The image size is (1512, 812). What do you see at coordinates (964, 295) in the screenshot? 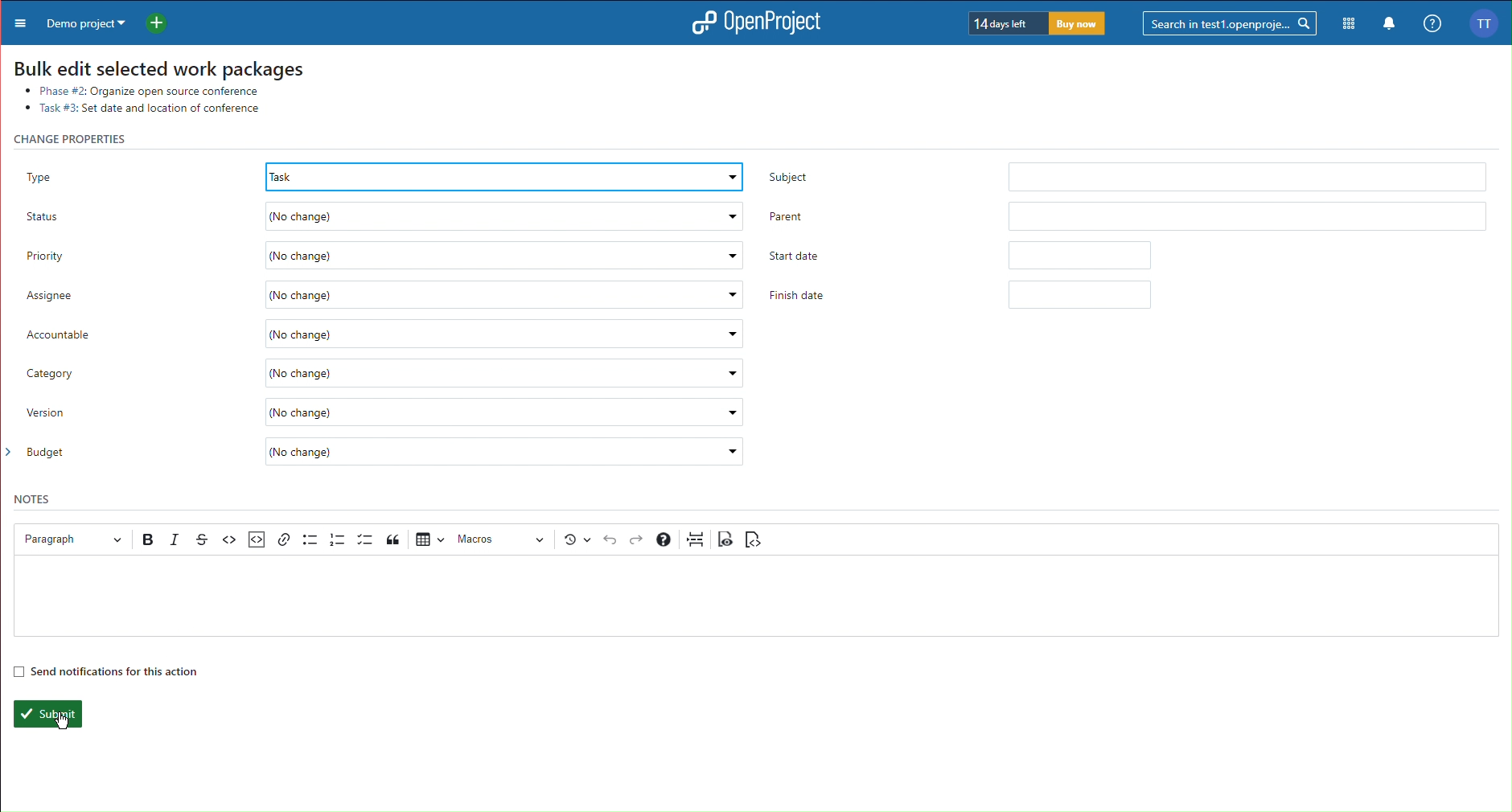
I see `Finish date` at bounding box center [964, 295].